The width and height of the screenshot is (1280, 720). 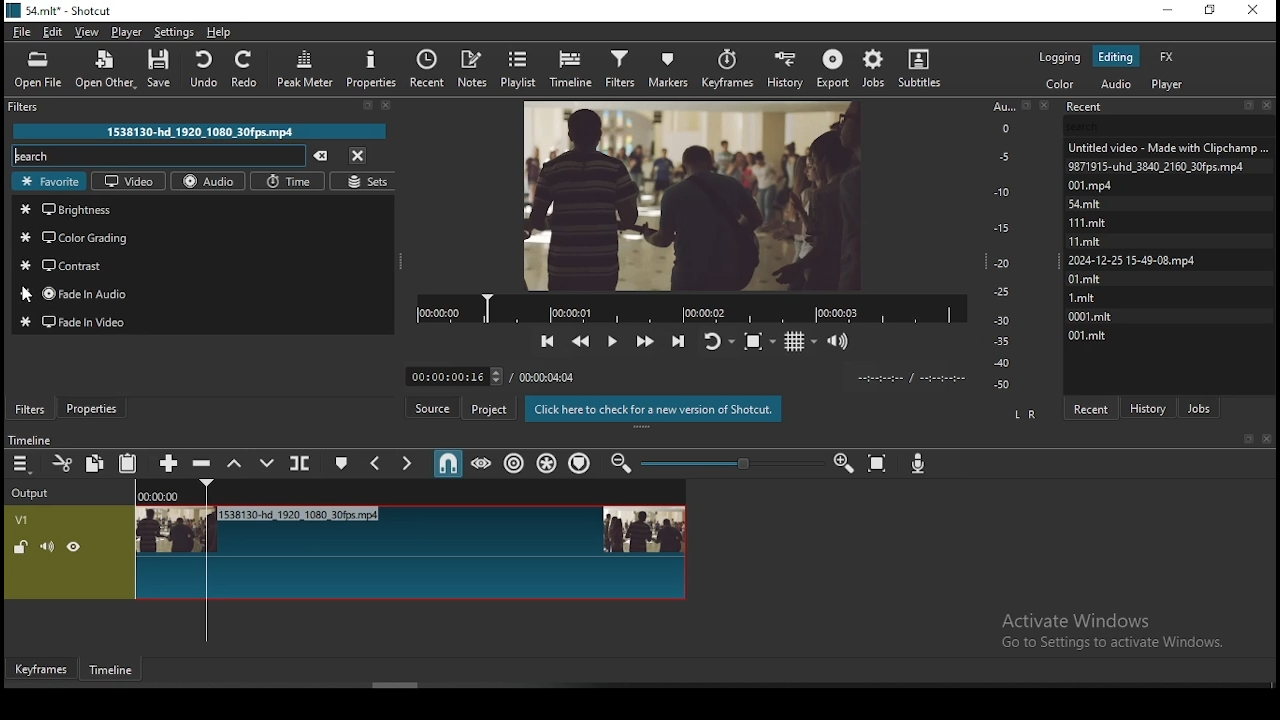 I want to click on L R, so click(x=1027, y=414).